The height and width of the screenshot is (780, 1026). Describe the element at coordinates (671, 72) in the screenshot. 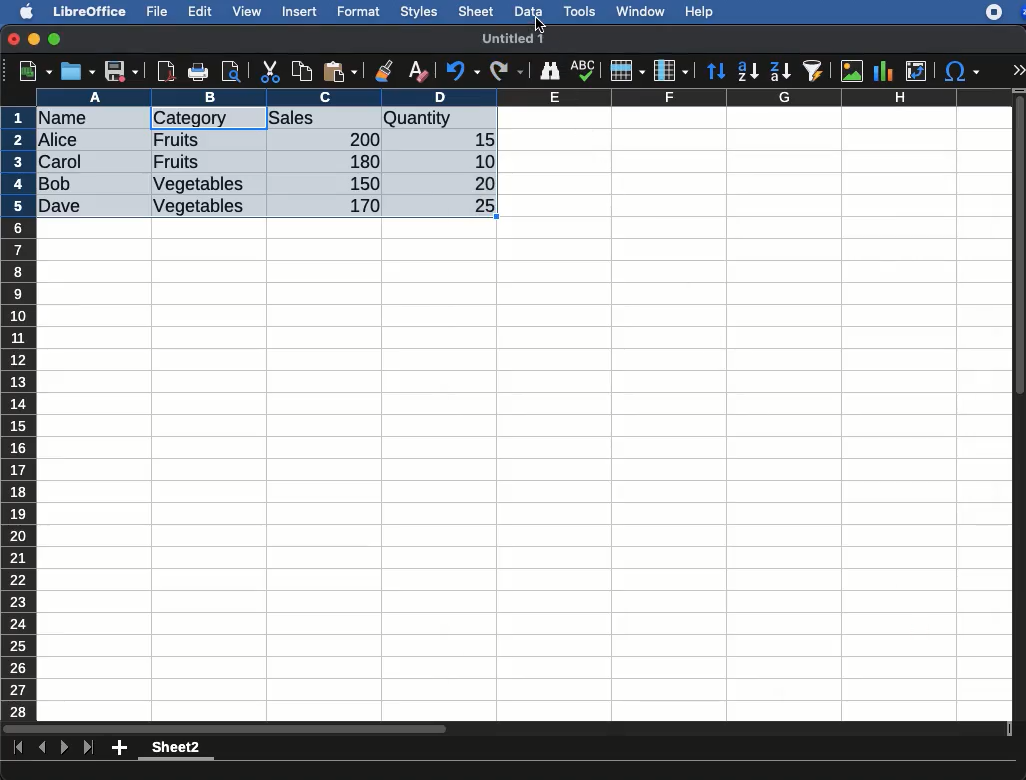

I see `column` at that location.